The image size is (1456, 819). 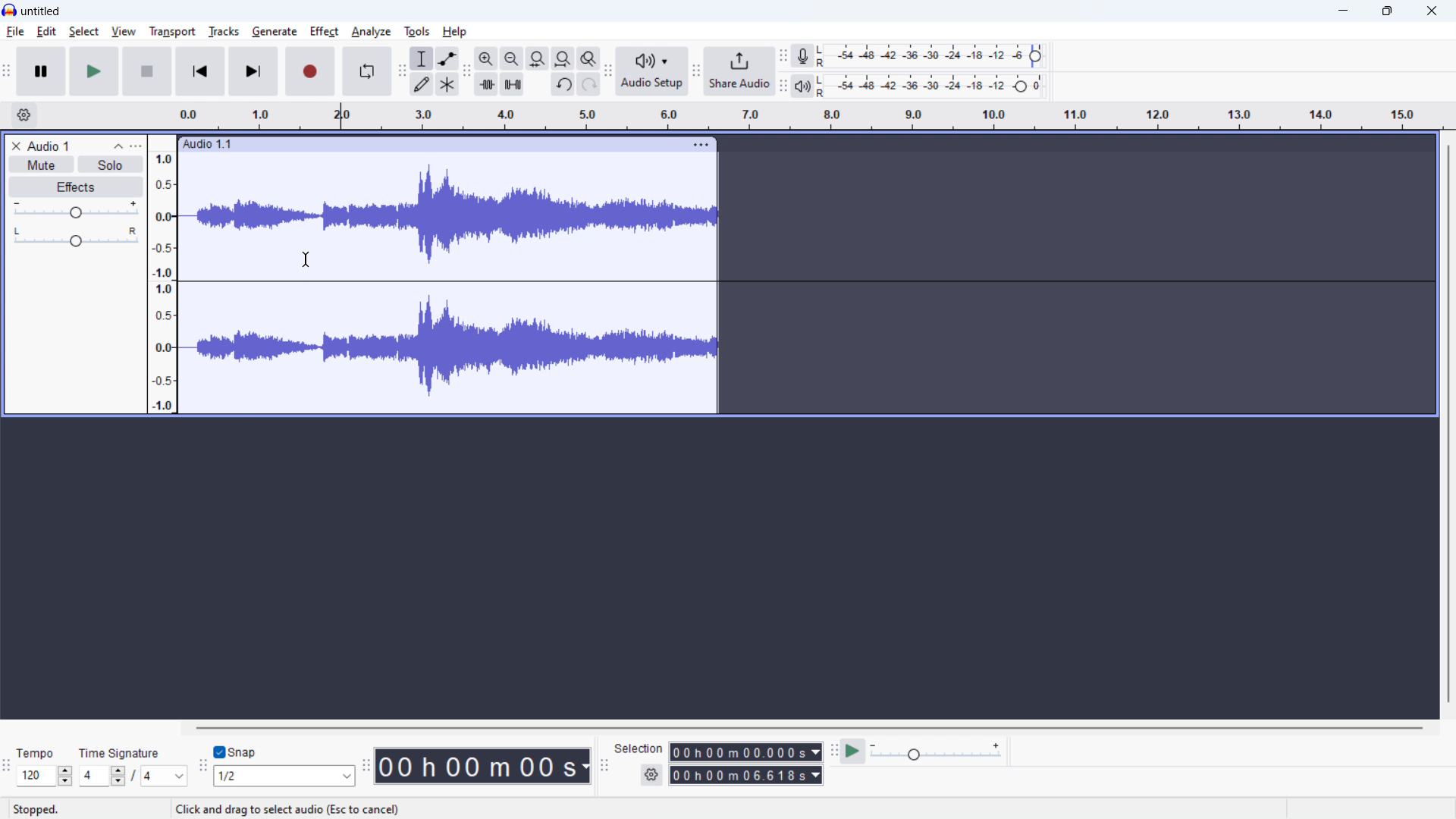 What do you see at coordinates (486, 83) in the screenshot?
I see `trim audio outside selection` at bounding box center [486, 83].